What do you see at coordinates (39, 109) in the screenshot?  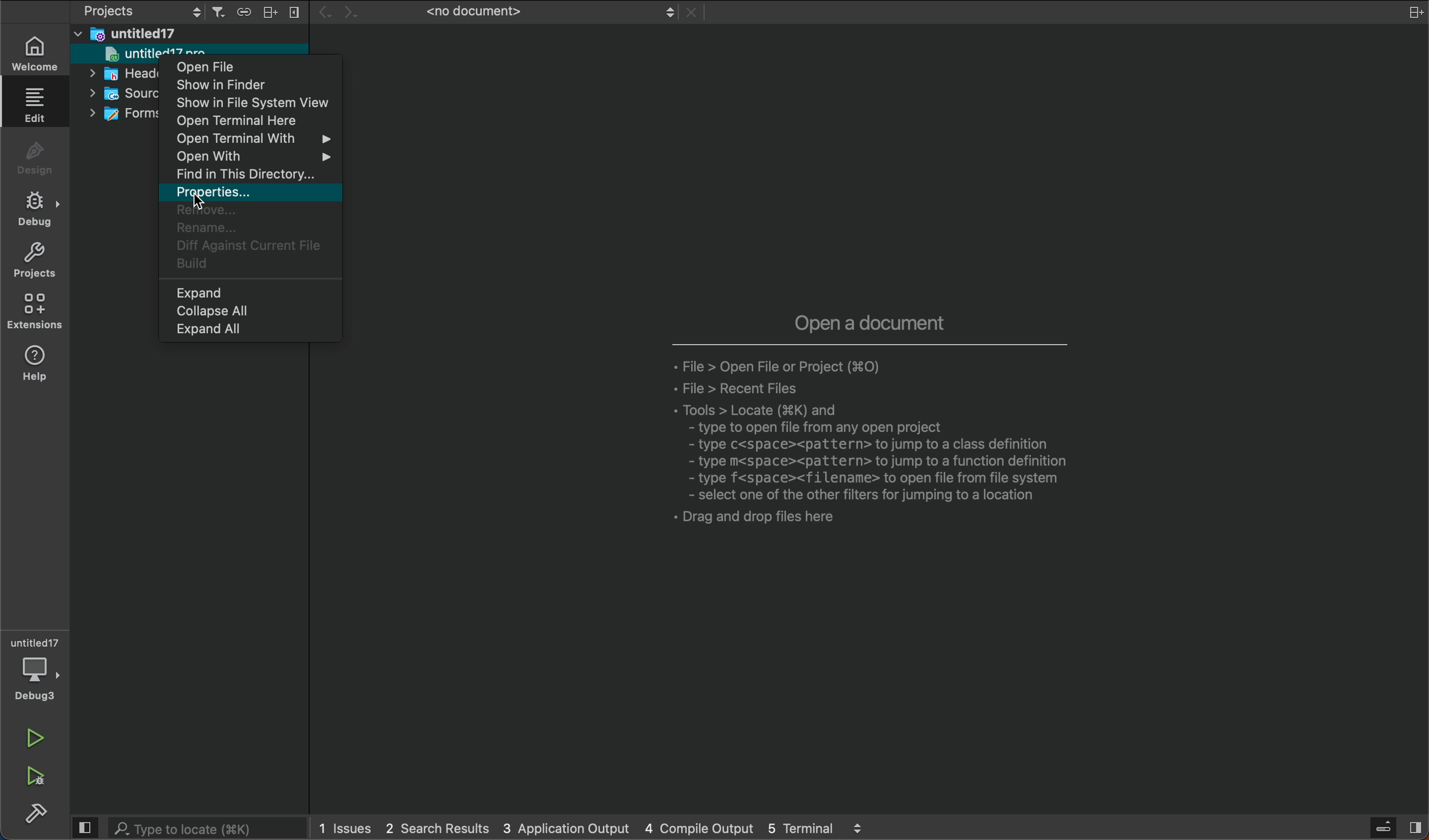 I see `edit` at bounding box center [39, 109].